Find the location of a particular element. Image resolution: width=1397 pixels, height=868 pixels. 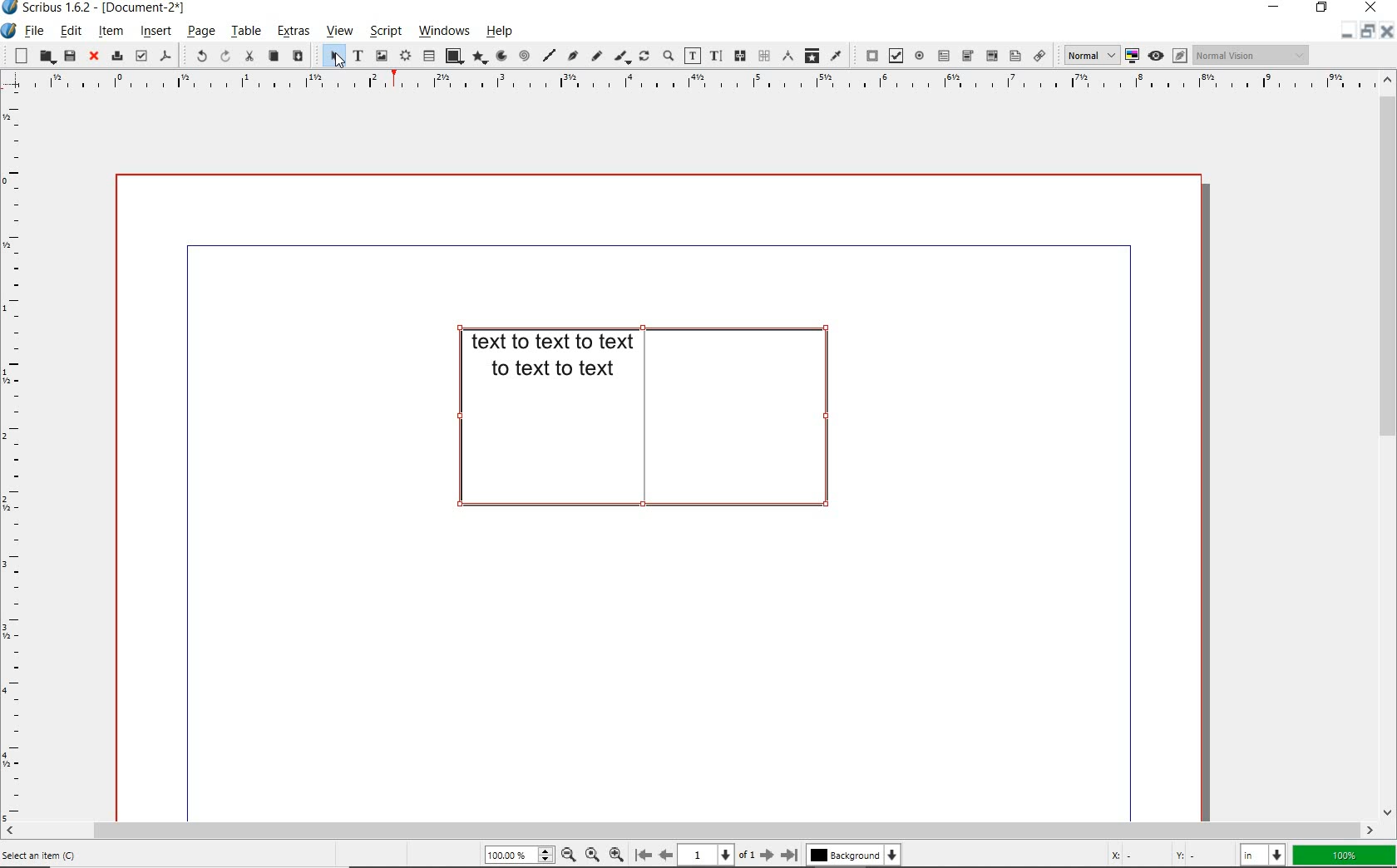

help is located at coordinates (499, 31).